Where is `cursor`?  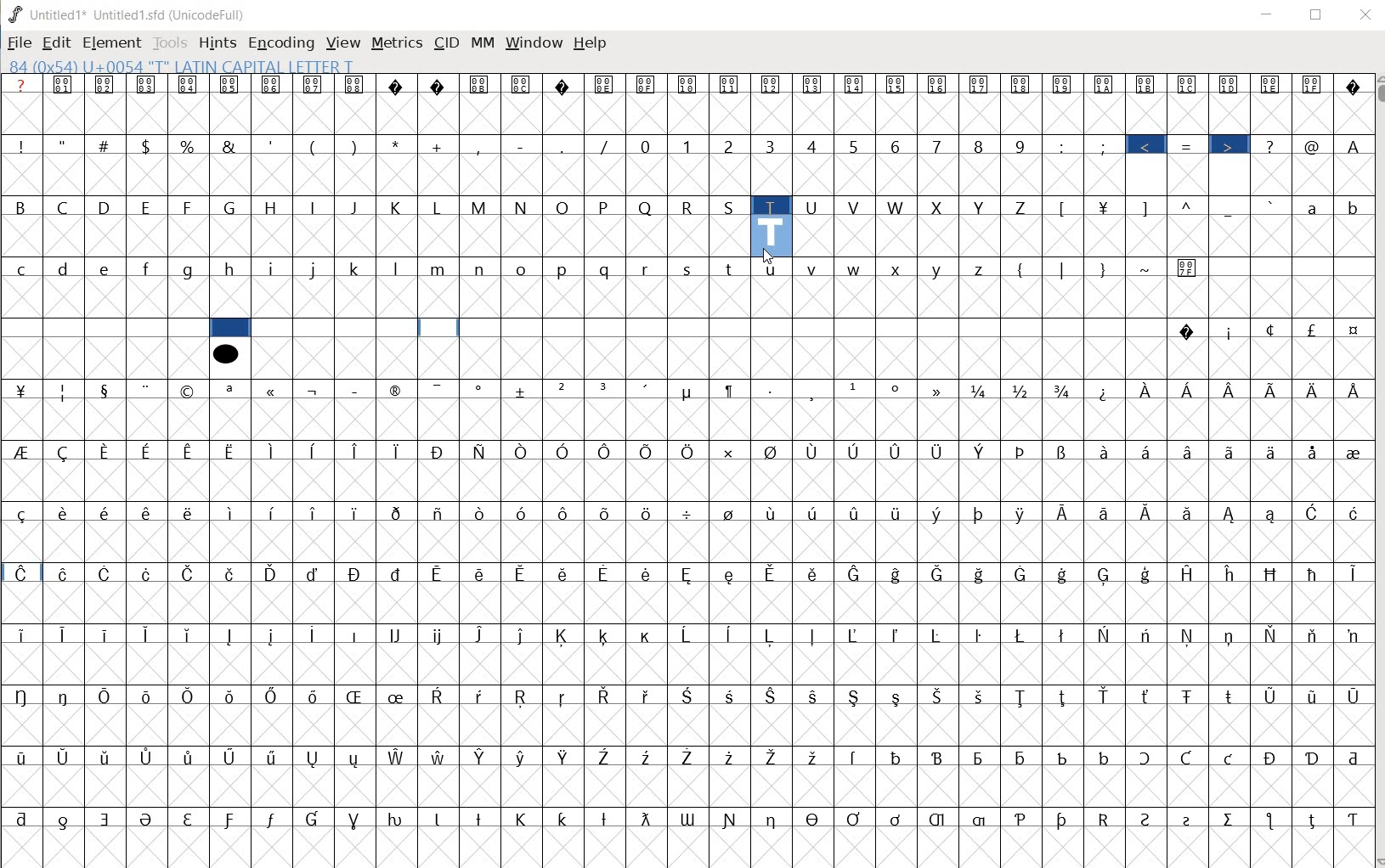
cursor is located at coordinates (767, 258).